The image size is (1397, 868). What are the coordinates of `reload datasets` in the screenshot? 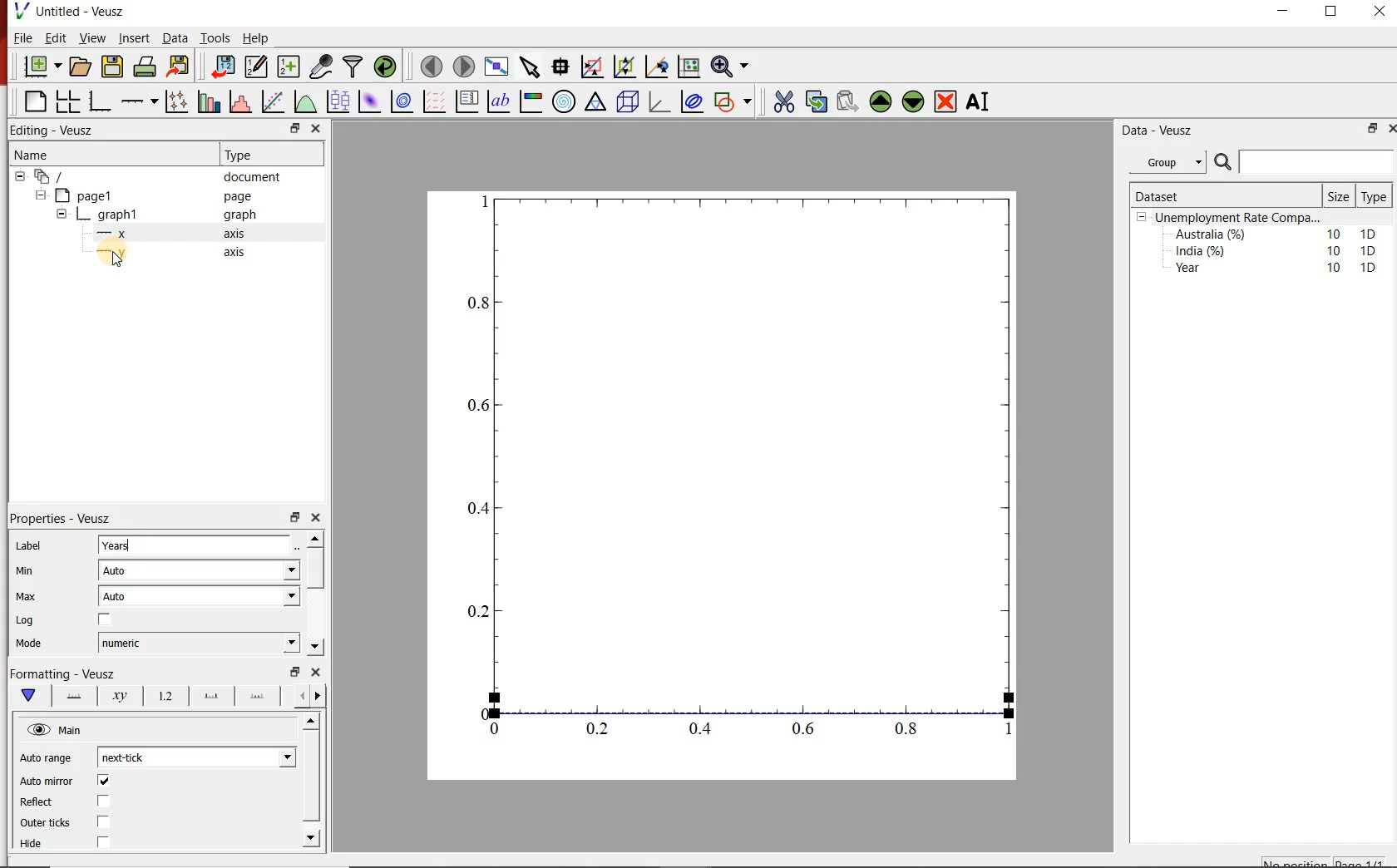 It's located at (386, 66).